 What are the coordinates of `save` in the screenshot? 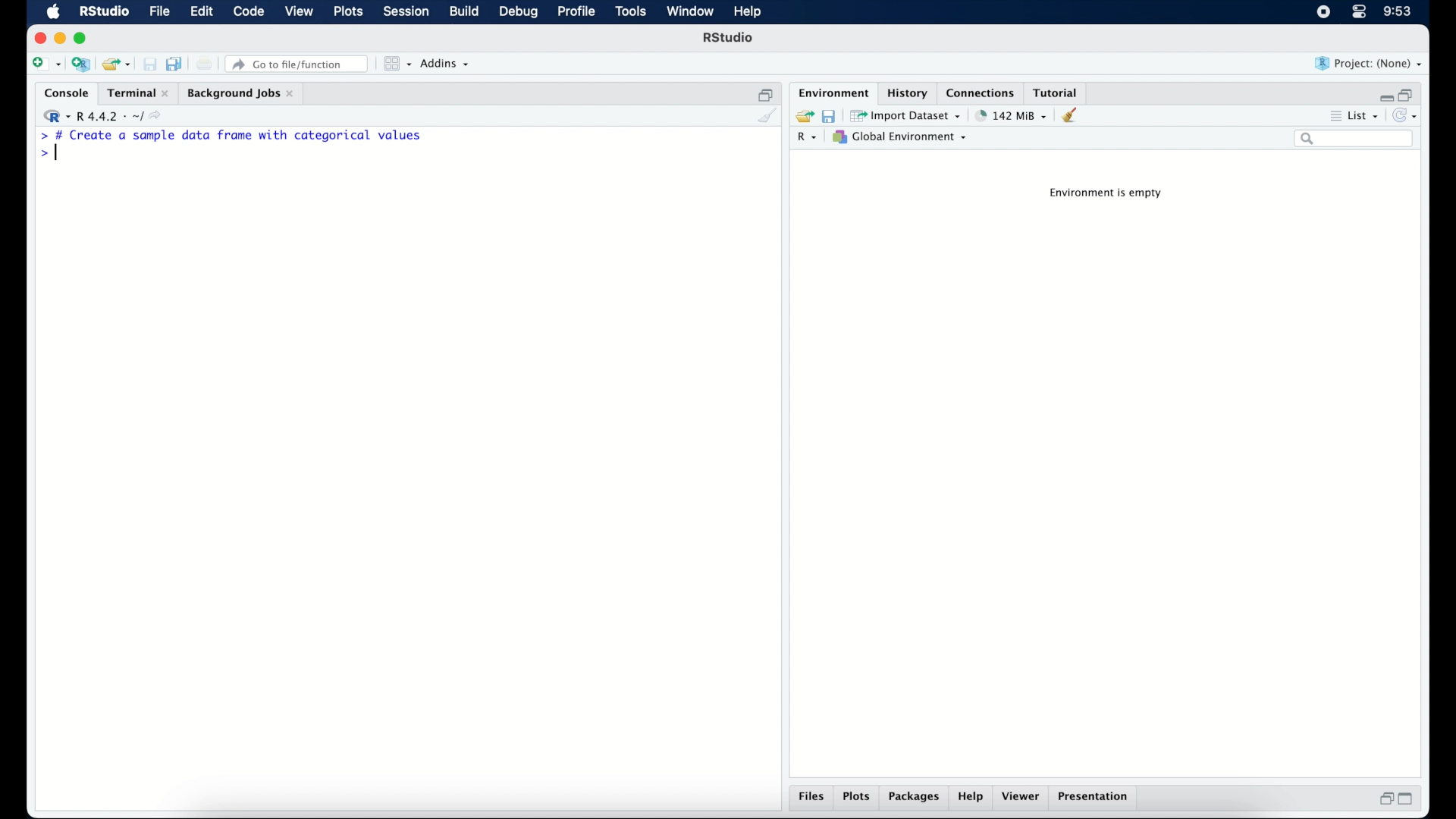 It's located at (828, 116).